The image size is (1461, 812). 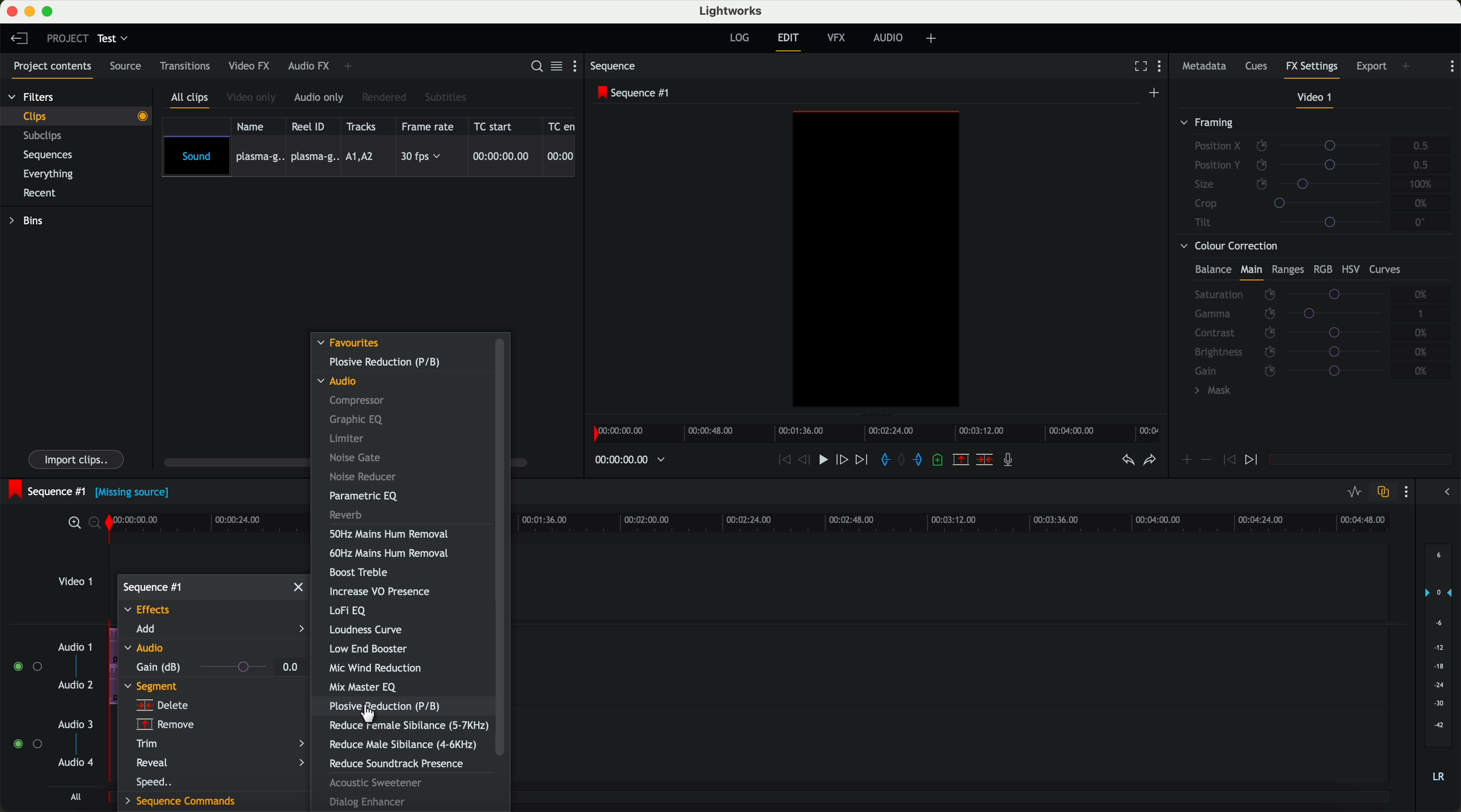 What do you see at coordinates (1164, 68) in the screenshot?
I see `show settings menu` at bounding box center [1164, 68].